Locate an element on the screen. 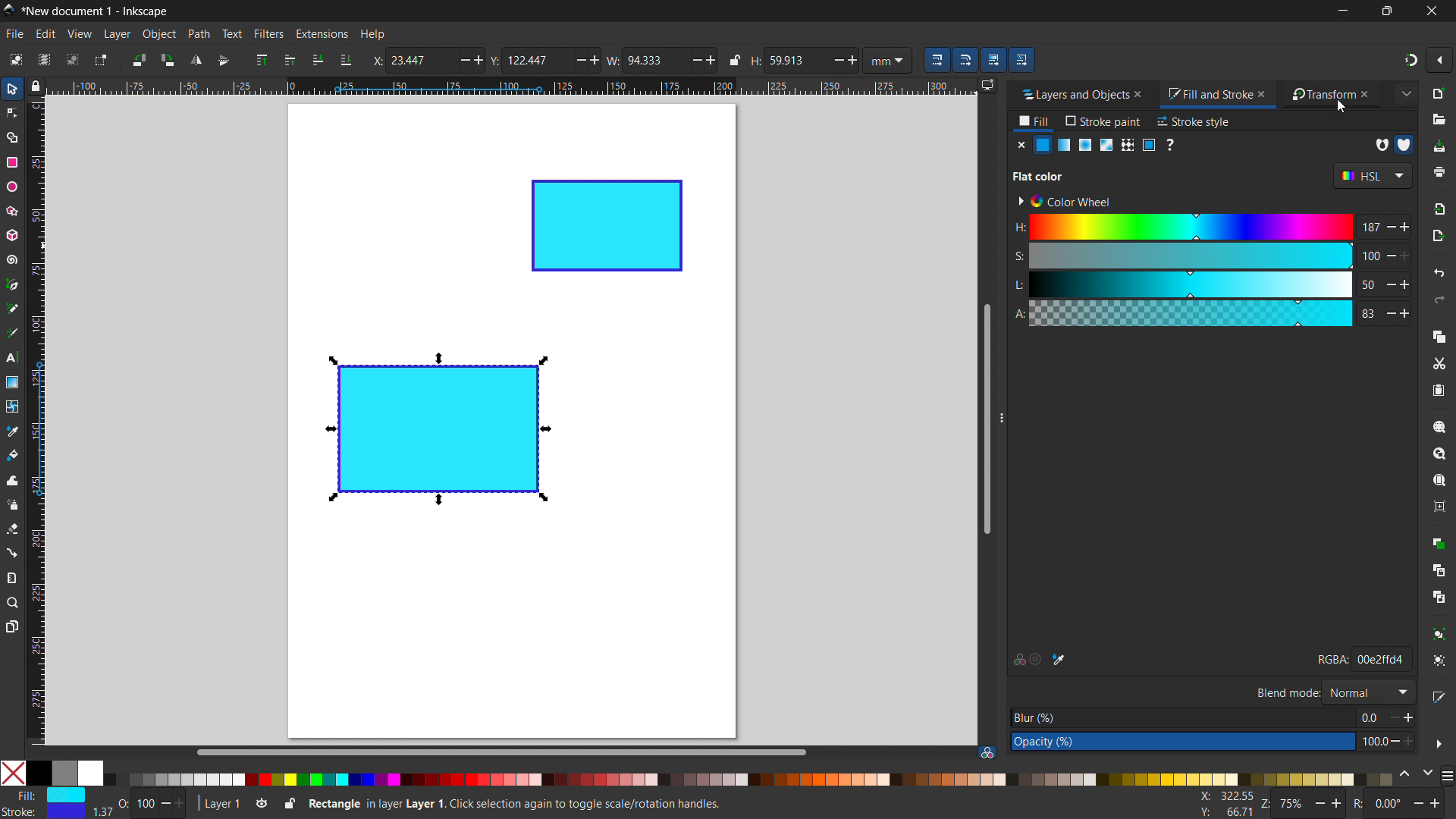 This screenshot has width=1456, height=819. stroke paint is located at coordinates (1103, 121).